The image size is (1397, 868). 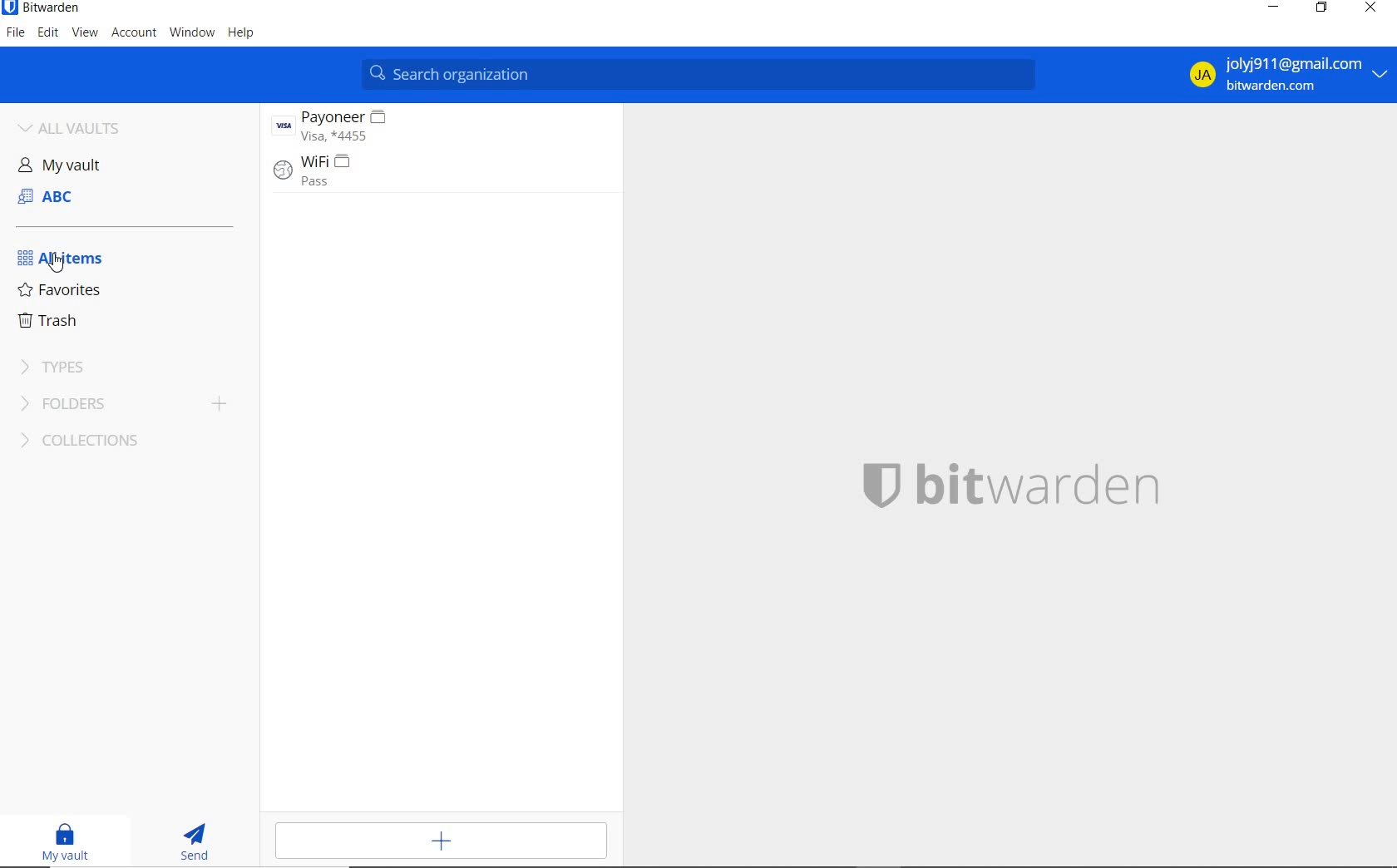 What do you see at coordinates (1282, 75) in the screenshot?
I see `ACCOUNT DETAILS AND OPTIONS` at bounding box center [1282, 75].